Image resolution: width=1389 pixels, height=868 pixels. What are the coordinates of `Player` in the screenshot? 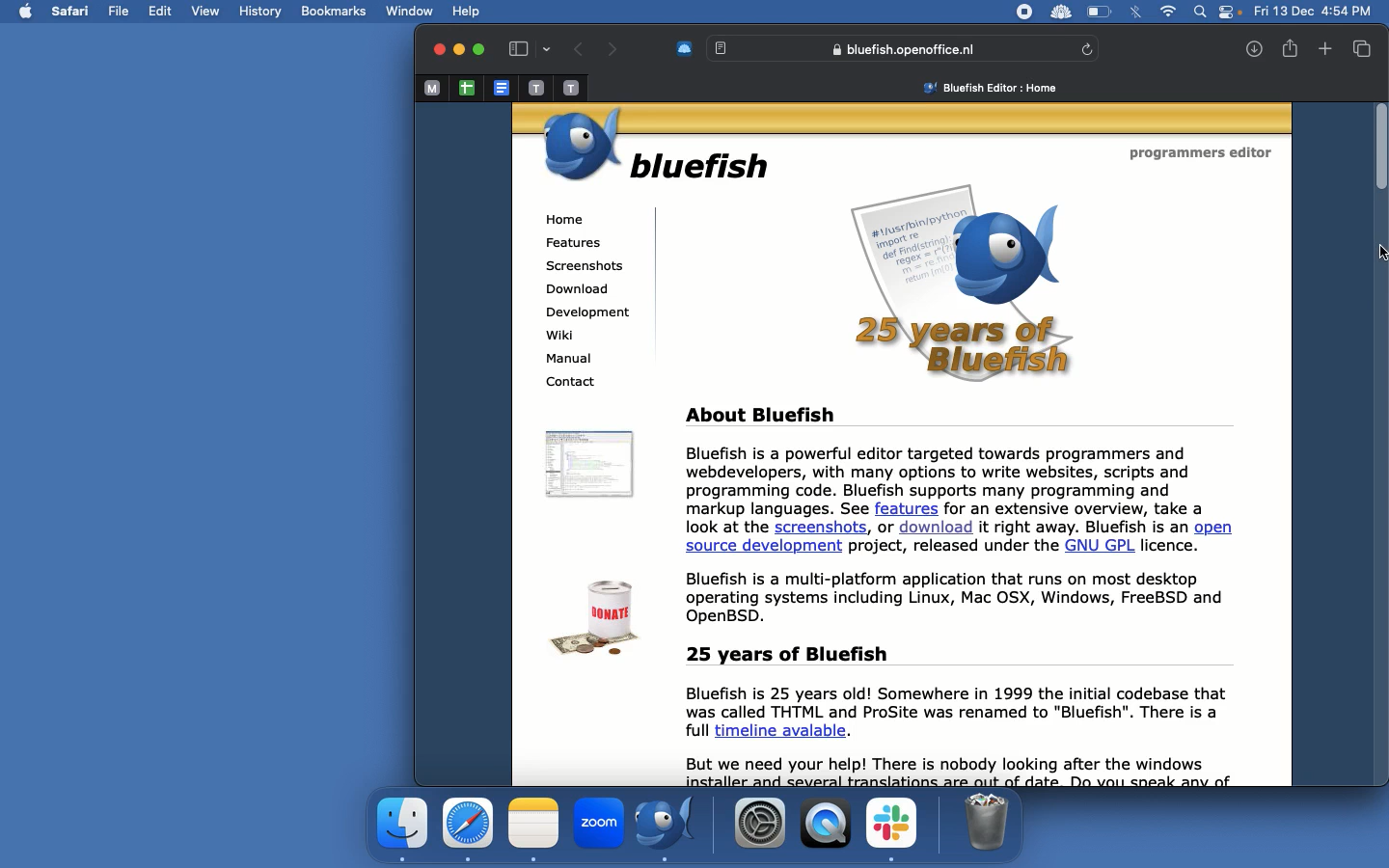 It's located at (823, 825).